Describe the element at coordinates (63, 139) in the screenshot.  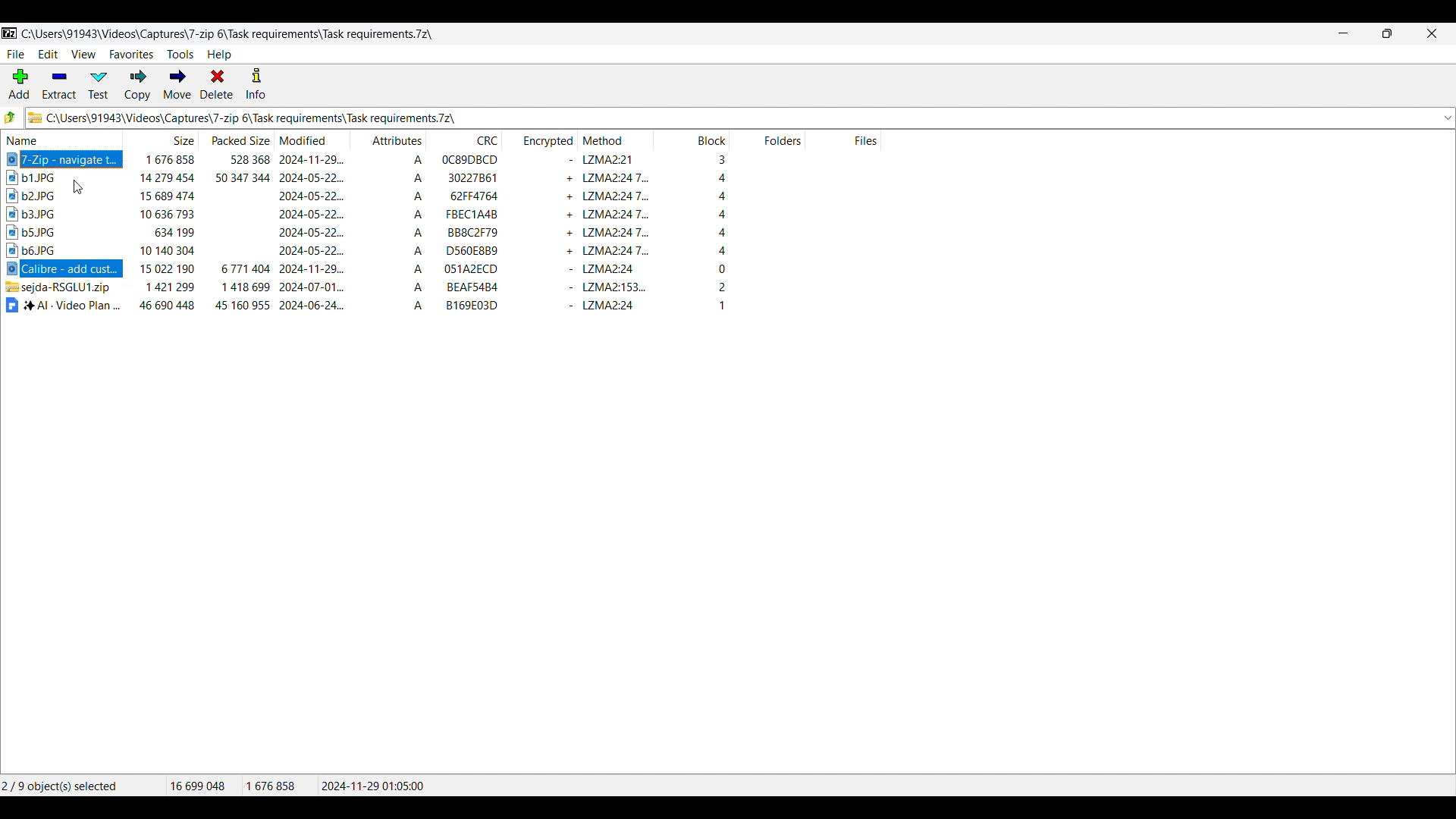
I see `Name column` at that location.